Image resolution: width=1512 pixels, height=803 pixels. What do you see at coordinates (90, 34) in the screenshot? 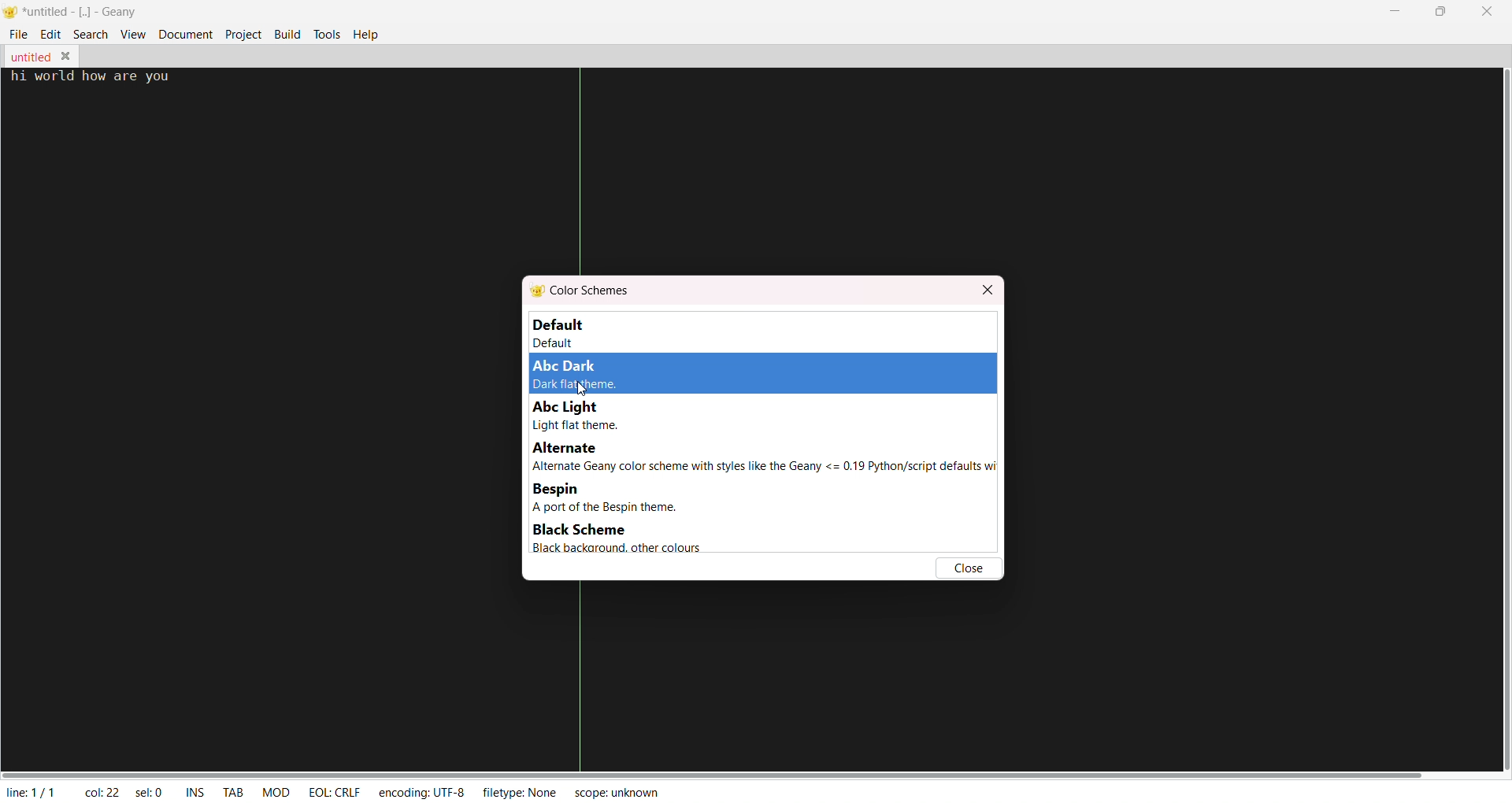
I see `search` at bounding box center [90, 34].